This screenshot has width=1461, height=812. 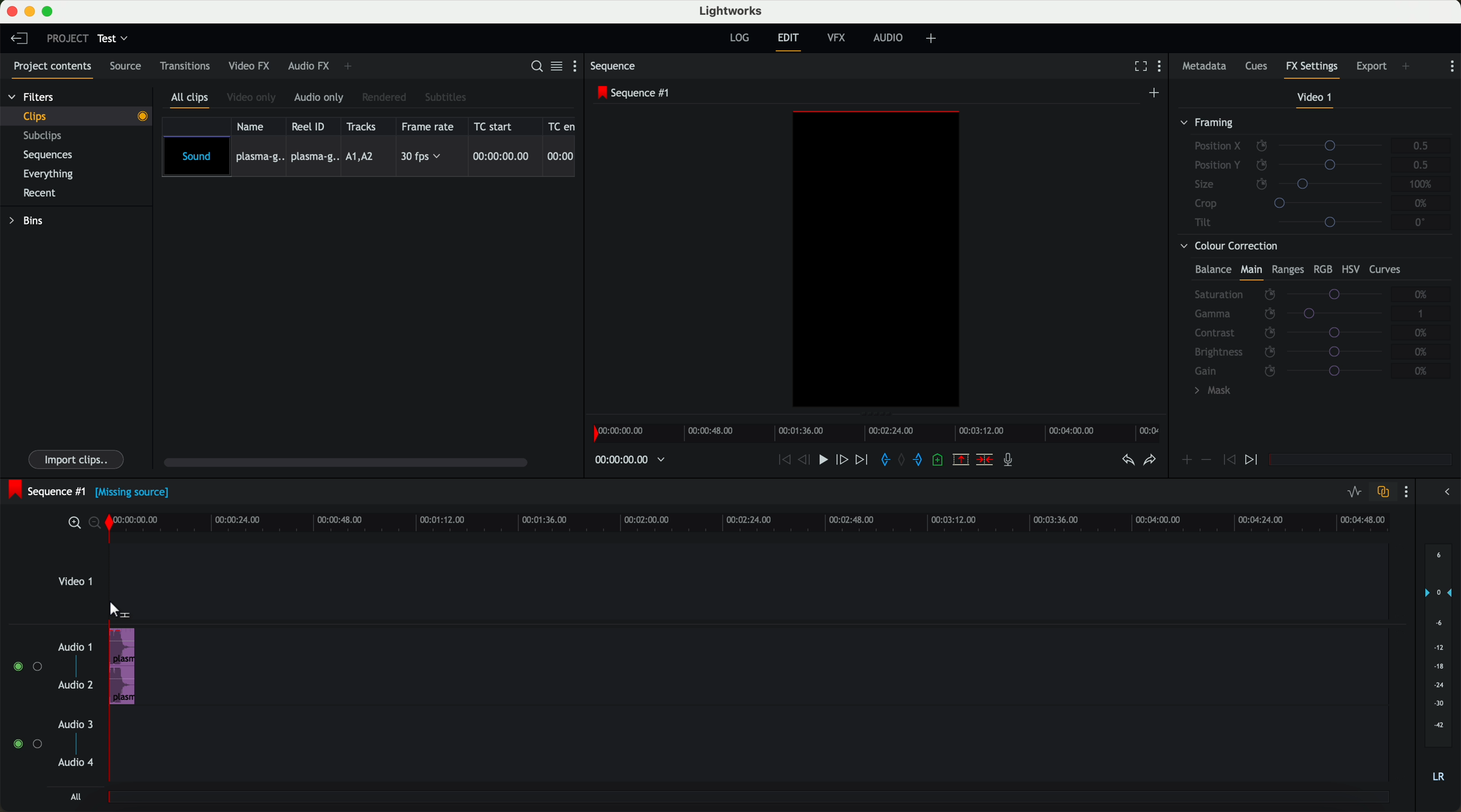 What do you see at coordinates (1409, 493) in the screenshot?
I see `show settings menu` at bounding box center [1409, 493].